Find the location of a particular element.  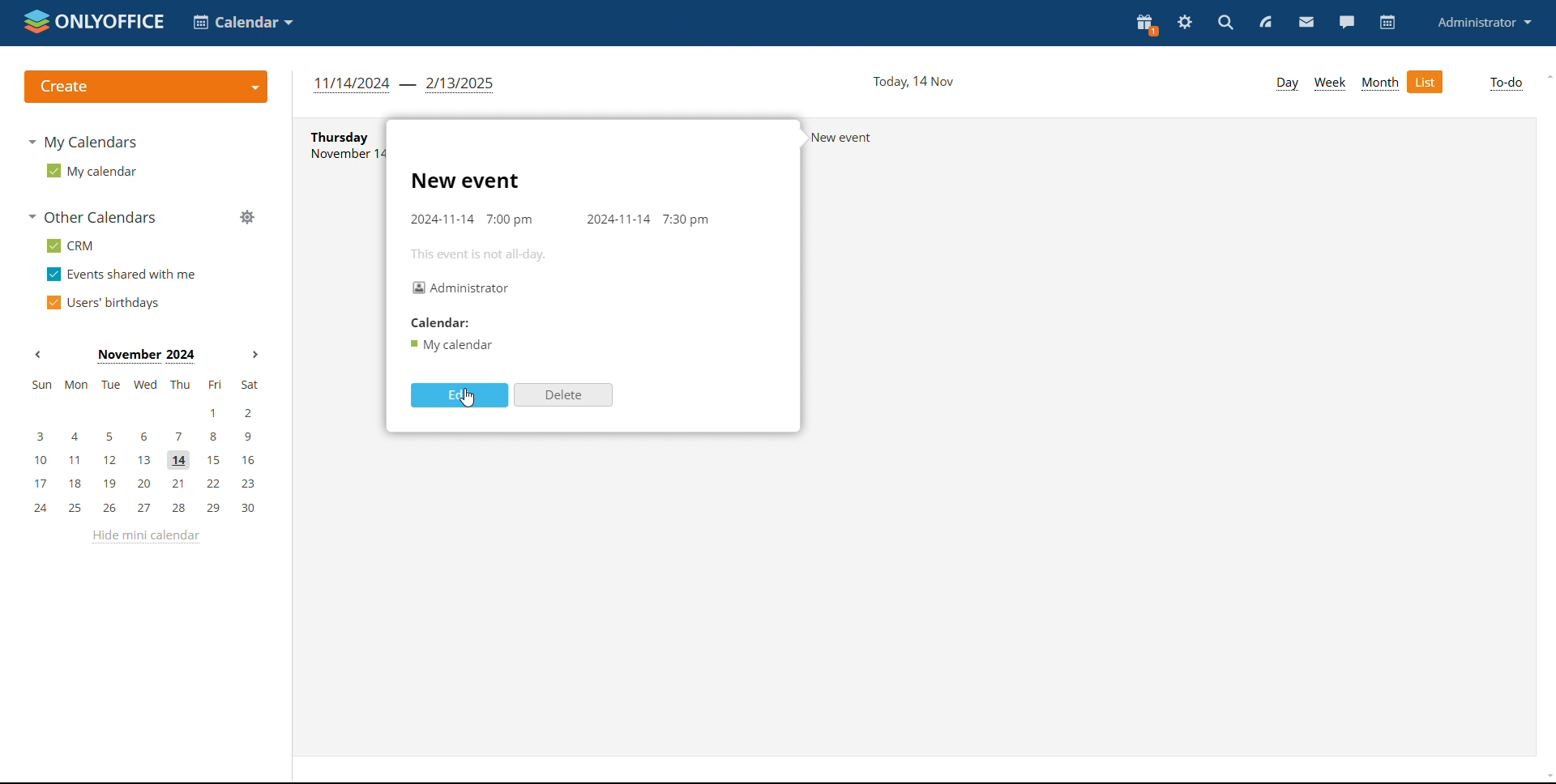

edit is located at coordinates (459, 396).